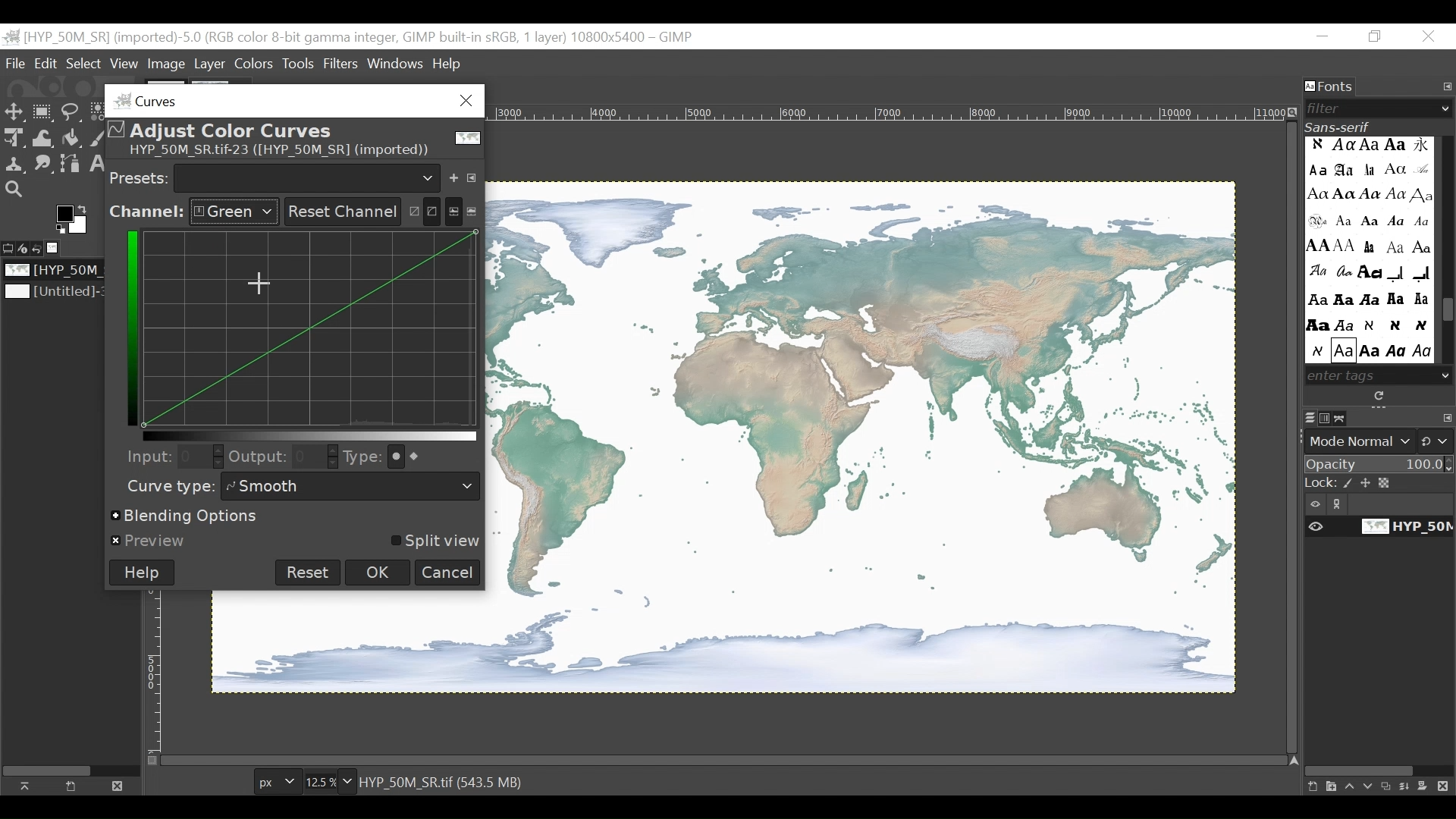  What do you see at coordinates (290, 100) in the screenshot?
I see `Curves` at bounding box center [290, 100].